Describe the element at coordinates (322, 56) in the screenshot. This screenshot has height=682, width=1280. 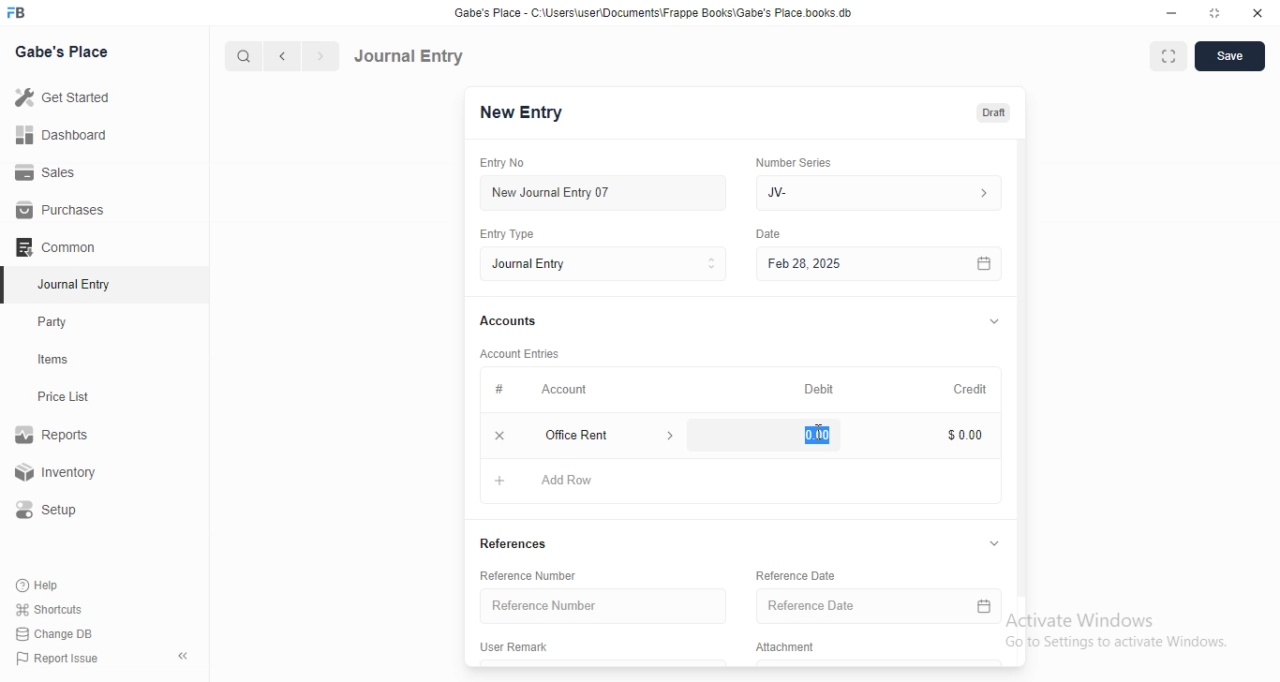
I see `forward` at that location.